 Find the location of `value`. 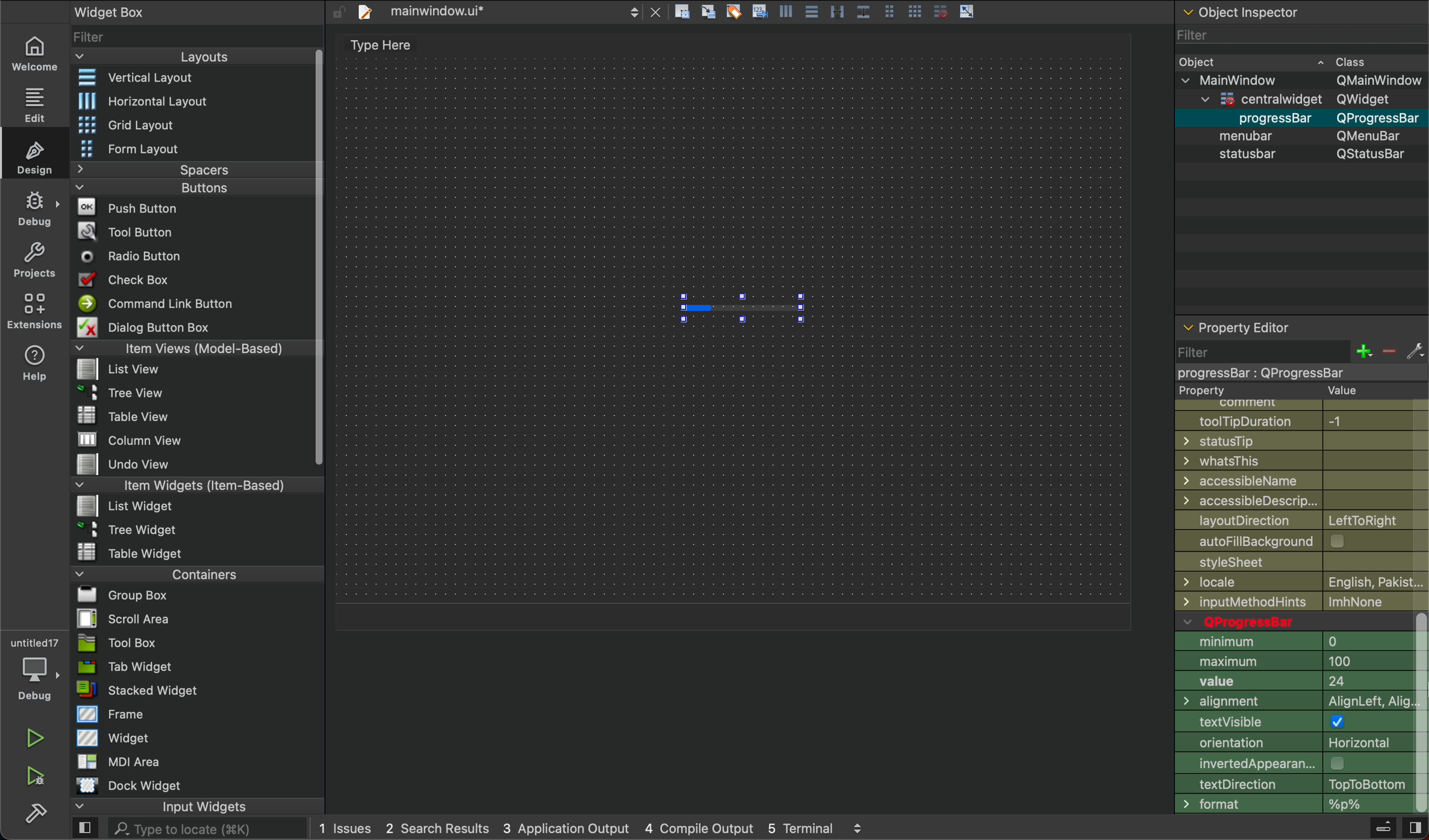

value is located at coordinates (1294, 684).